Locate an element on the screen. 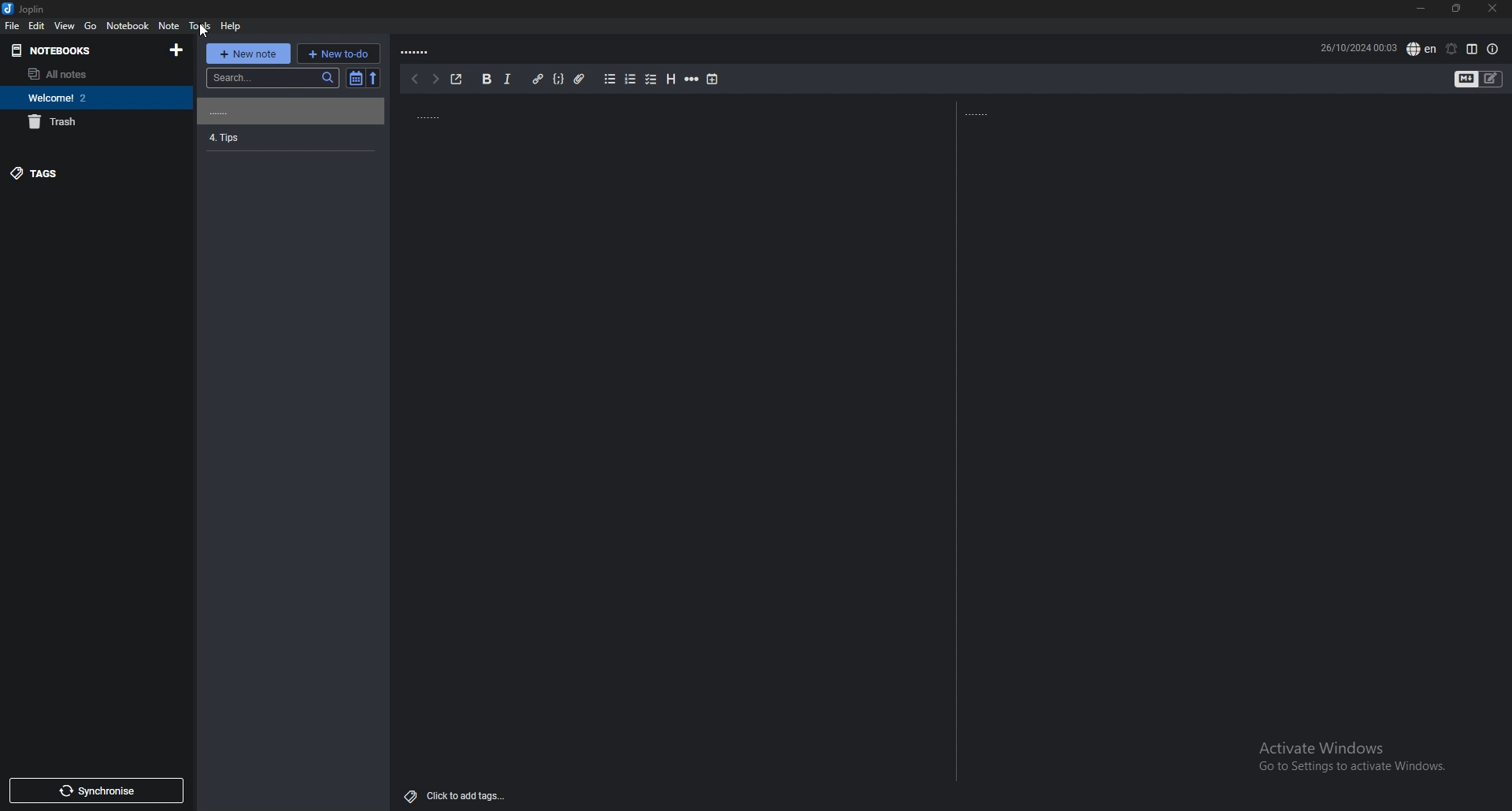 The height and width of the screenshot is (811, 1512). checkbox is located at coordinates (652, 80).